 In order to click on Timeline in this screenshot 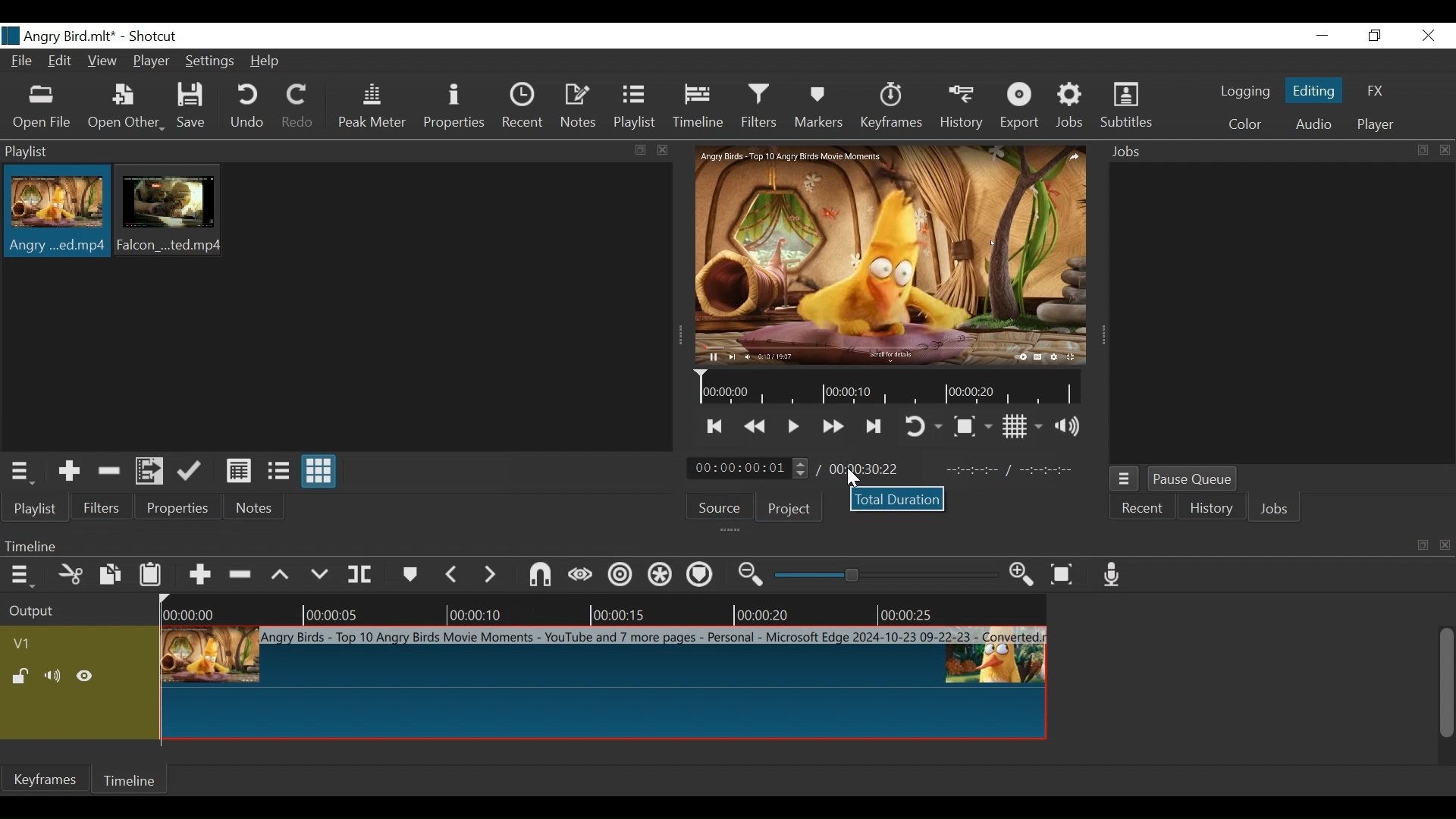, I will do `click(131, 783)`.